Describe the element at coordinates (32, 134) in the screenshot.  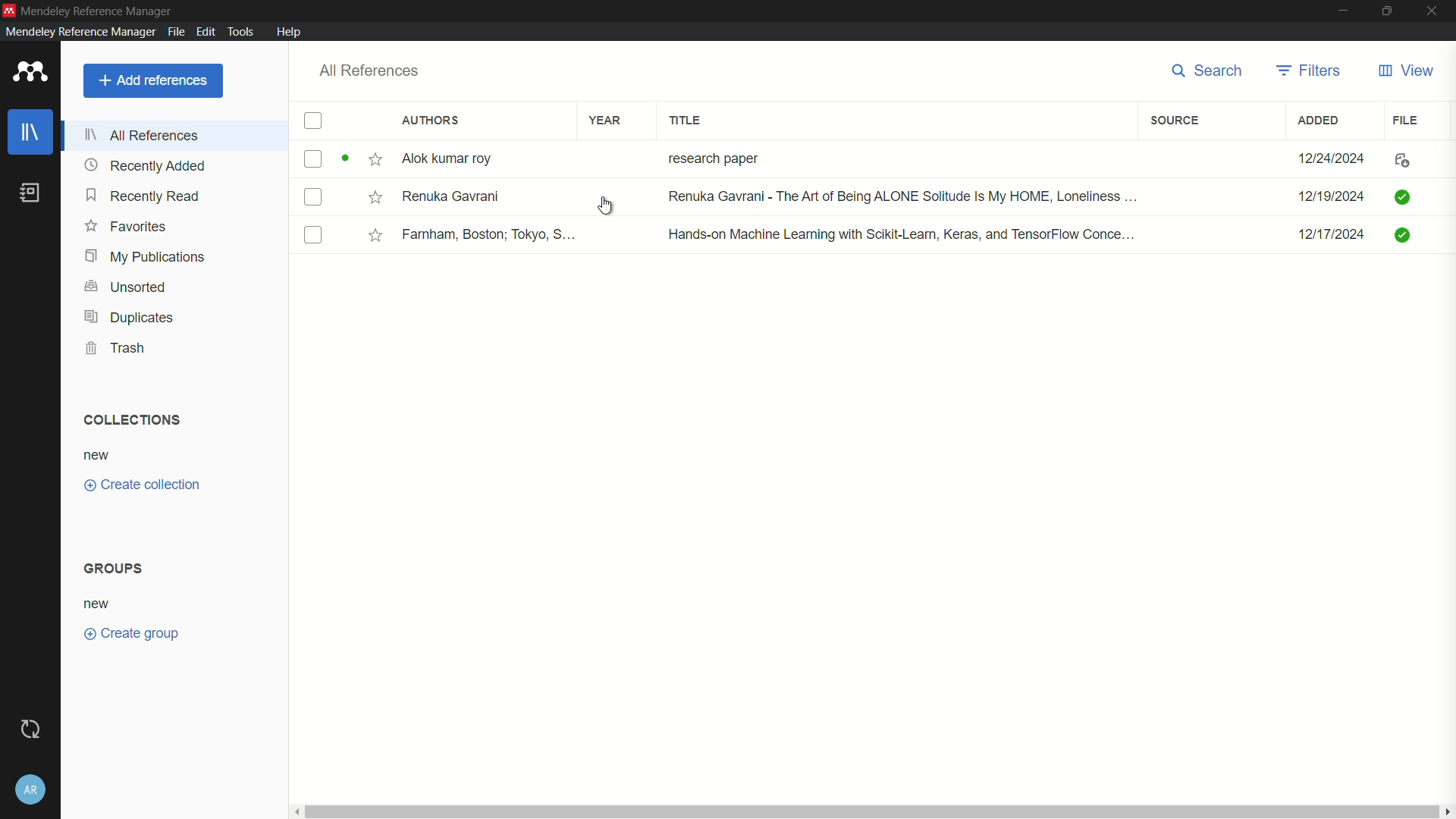
I see `library` at that location.